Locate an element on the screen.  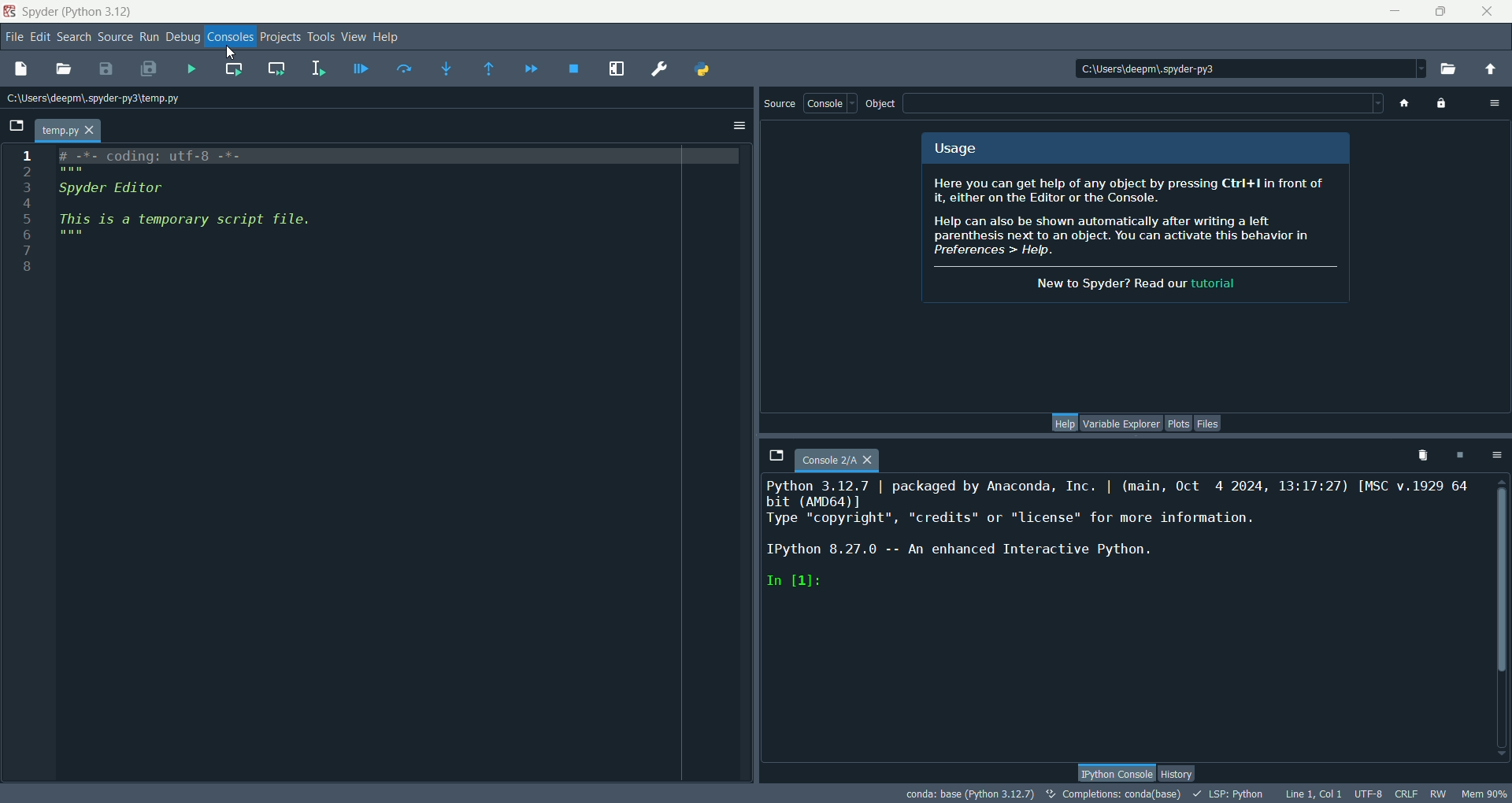
object is located at coordinates (882, 103).